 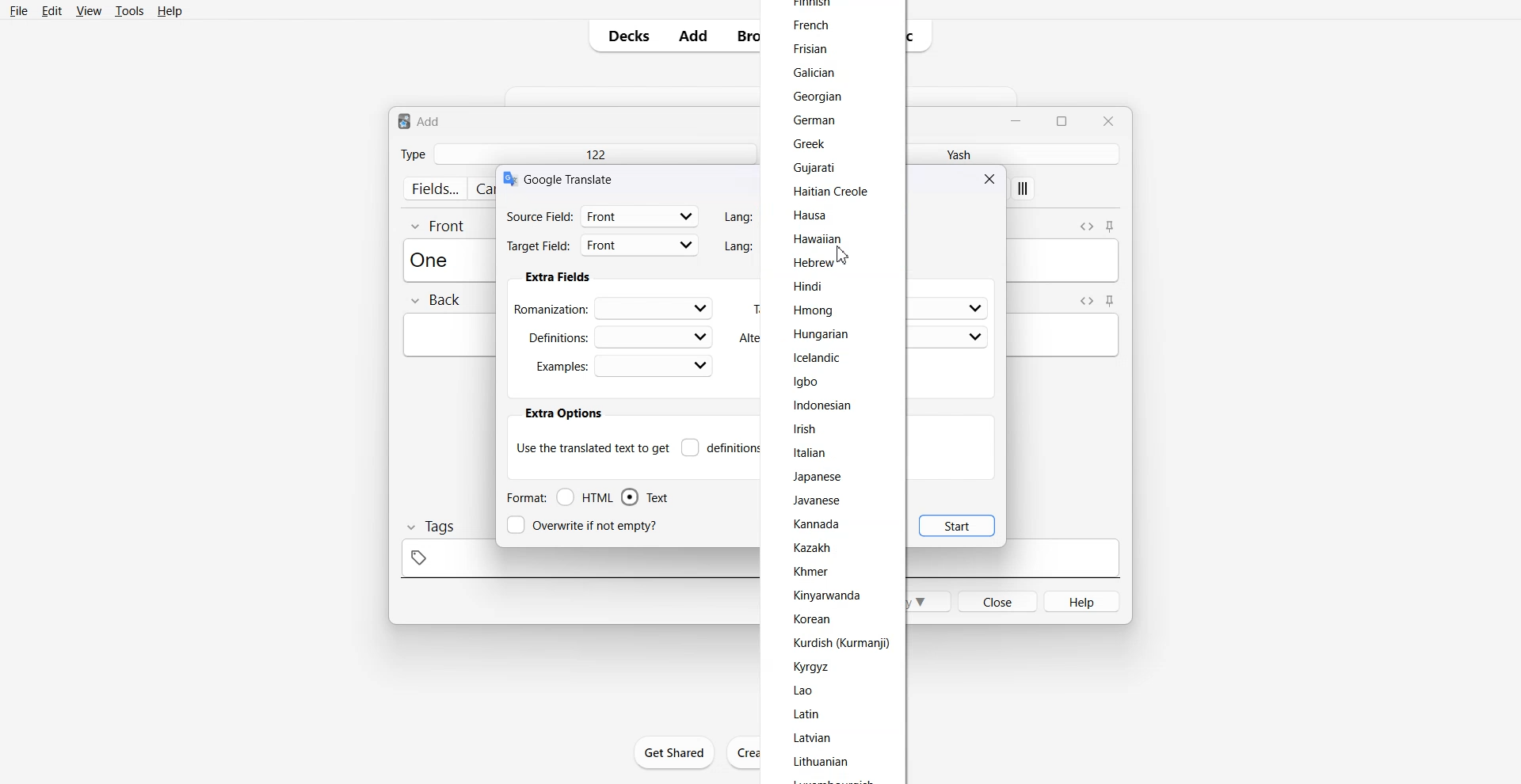 What do you see at coordinates (693, 36) in the screenshot?
I see `Add` at bounding box center [693, 36].